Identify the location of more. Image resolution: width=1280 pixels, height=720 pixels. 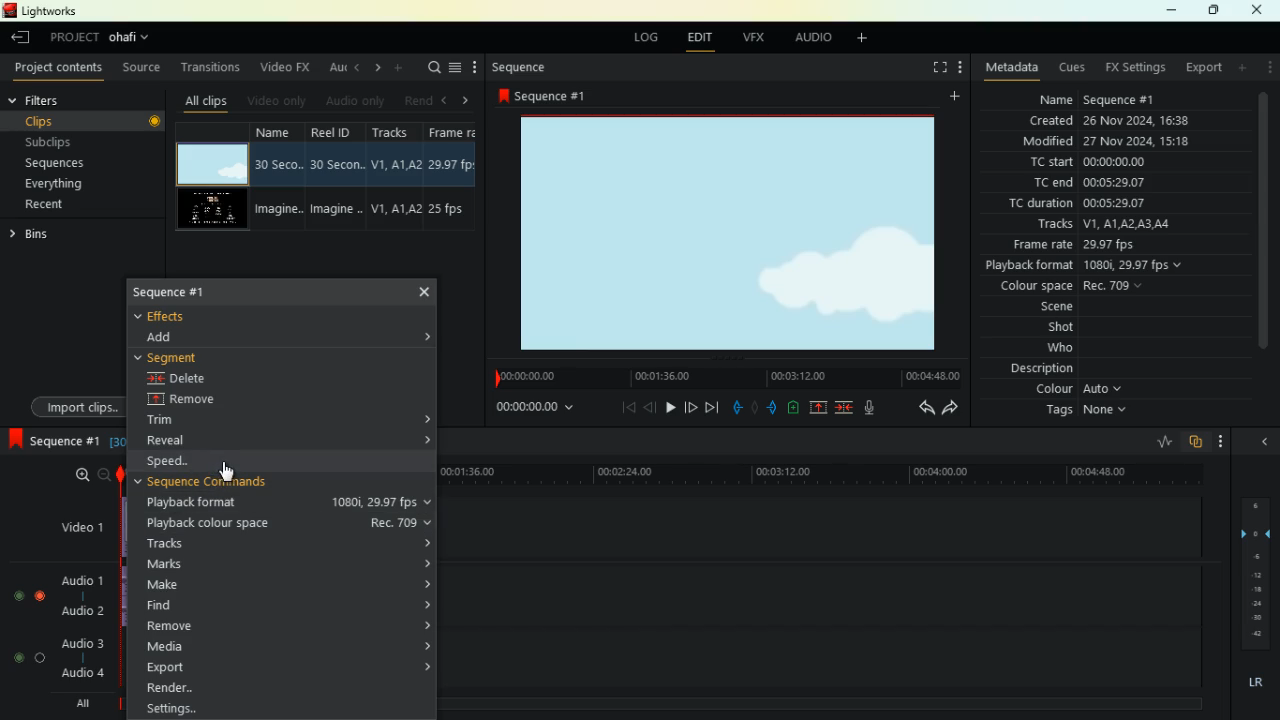
(1271, 67).